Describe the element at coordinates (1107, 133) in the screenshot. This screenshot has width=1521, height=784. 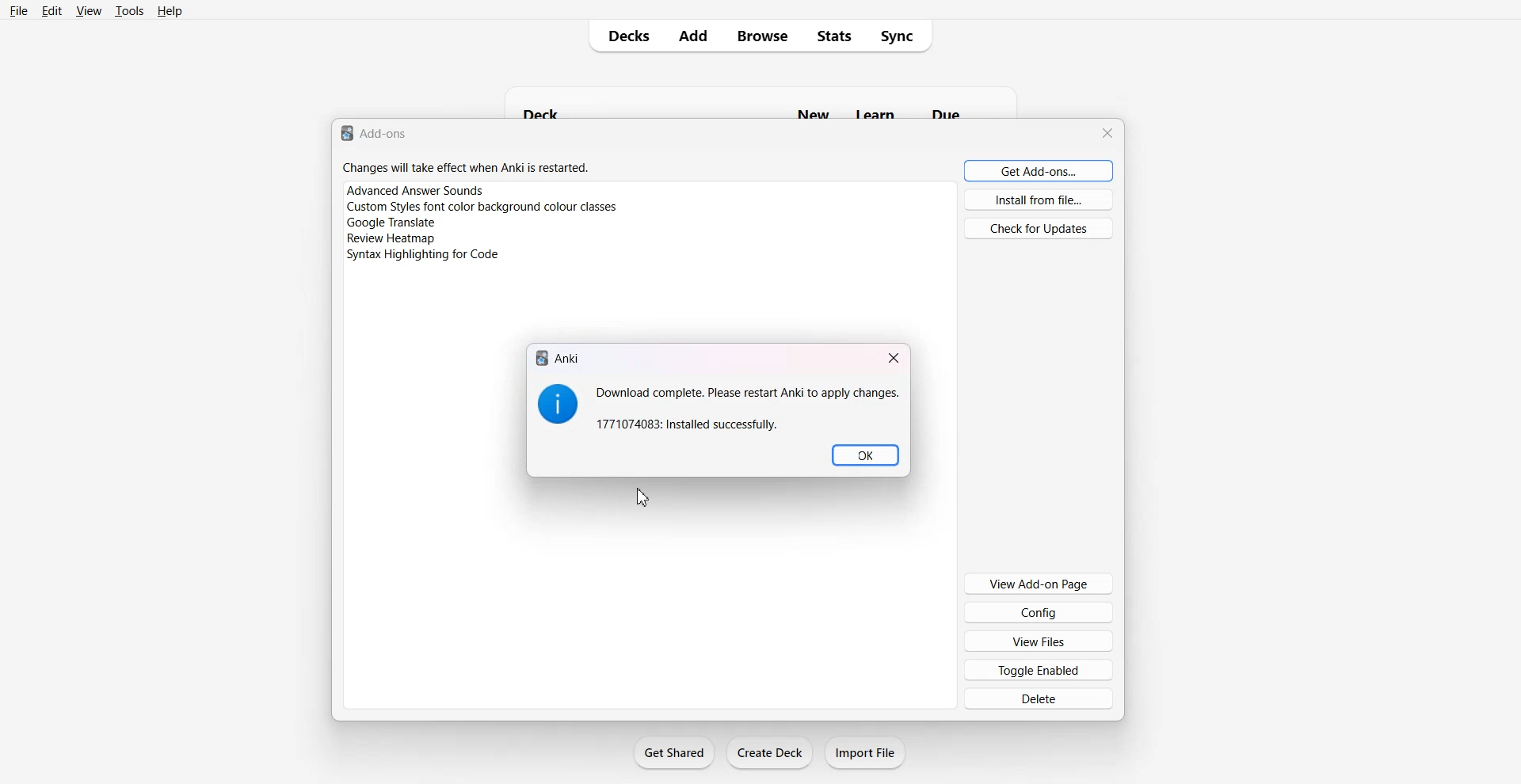
I see `Close` at that location.